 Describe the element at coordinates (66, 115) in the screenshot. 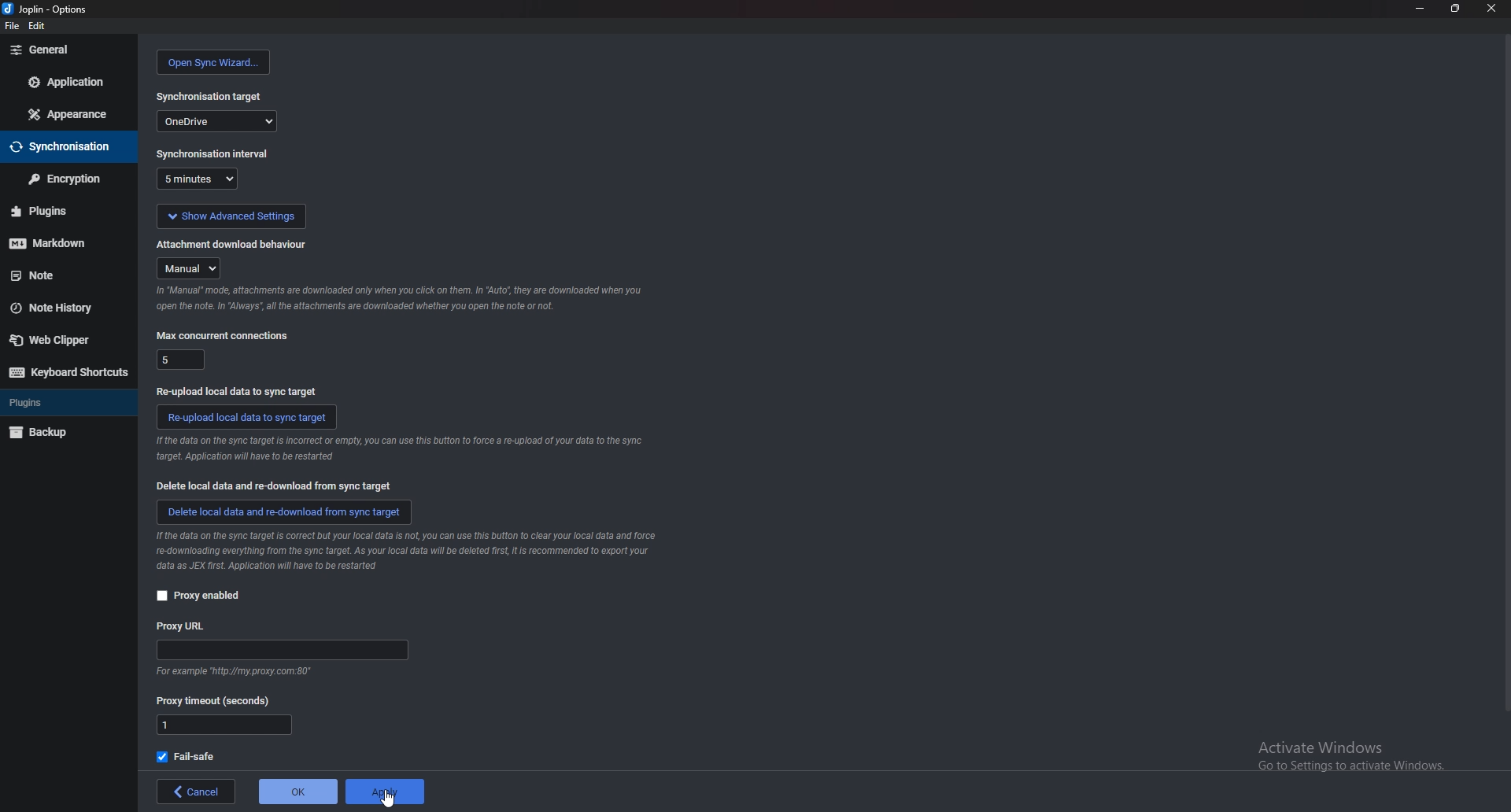

I see `appearance` at that location.